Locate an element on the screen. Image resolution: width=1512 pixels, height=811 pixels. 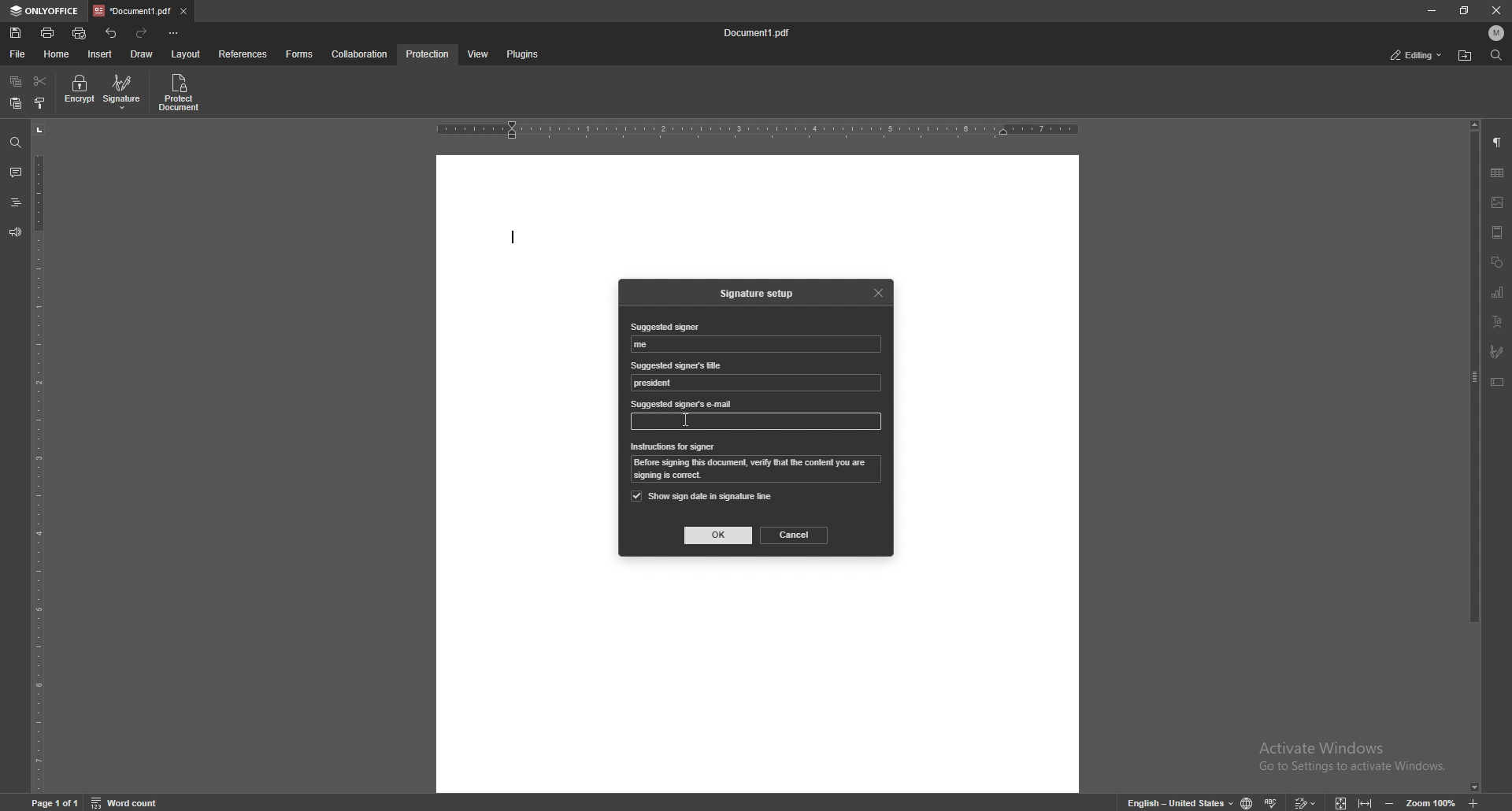
typing start is located at coordinates (519, 239).